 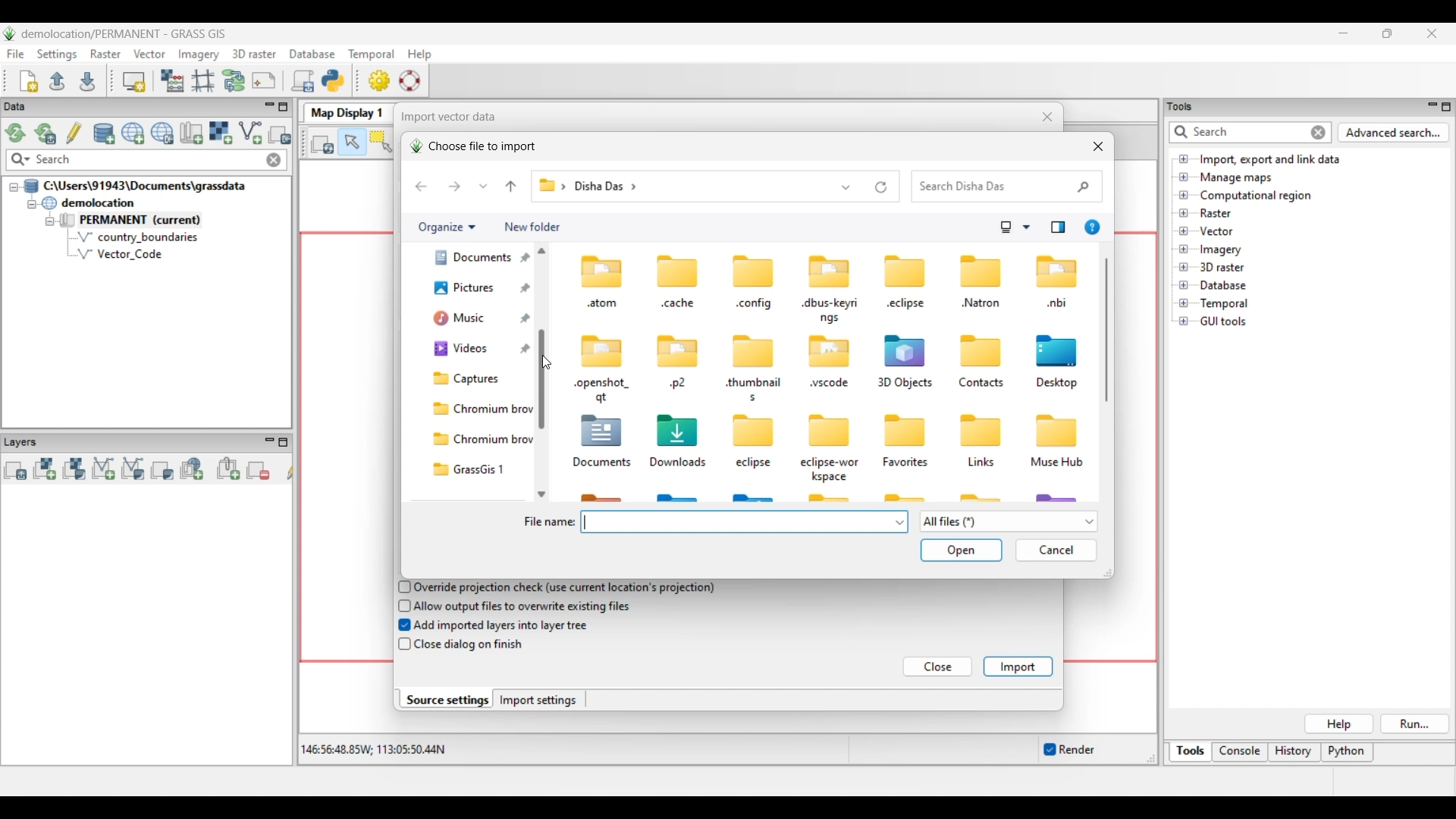 I want to click on Documents, so click(x=601, y=464).